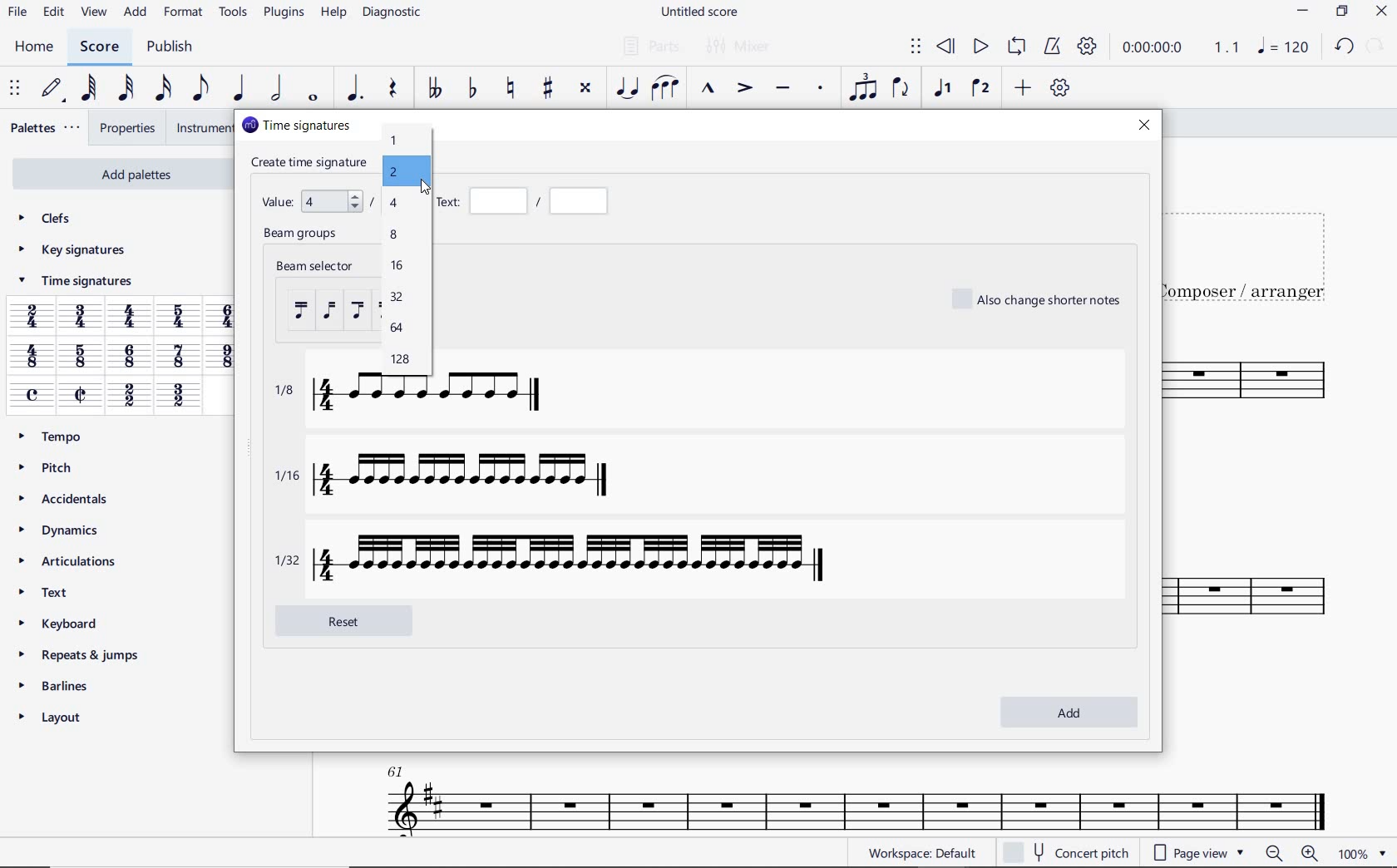  I want to click on 64, so click(396, 328).